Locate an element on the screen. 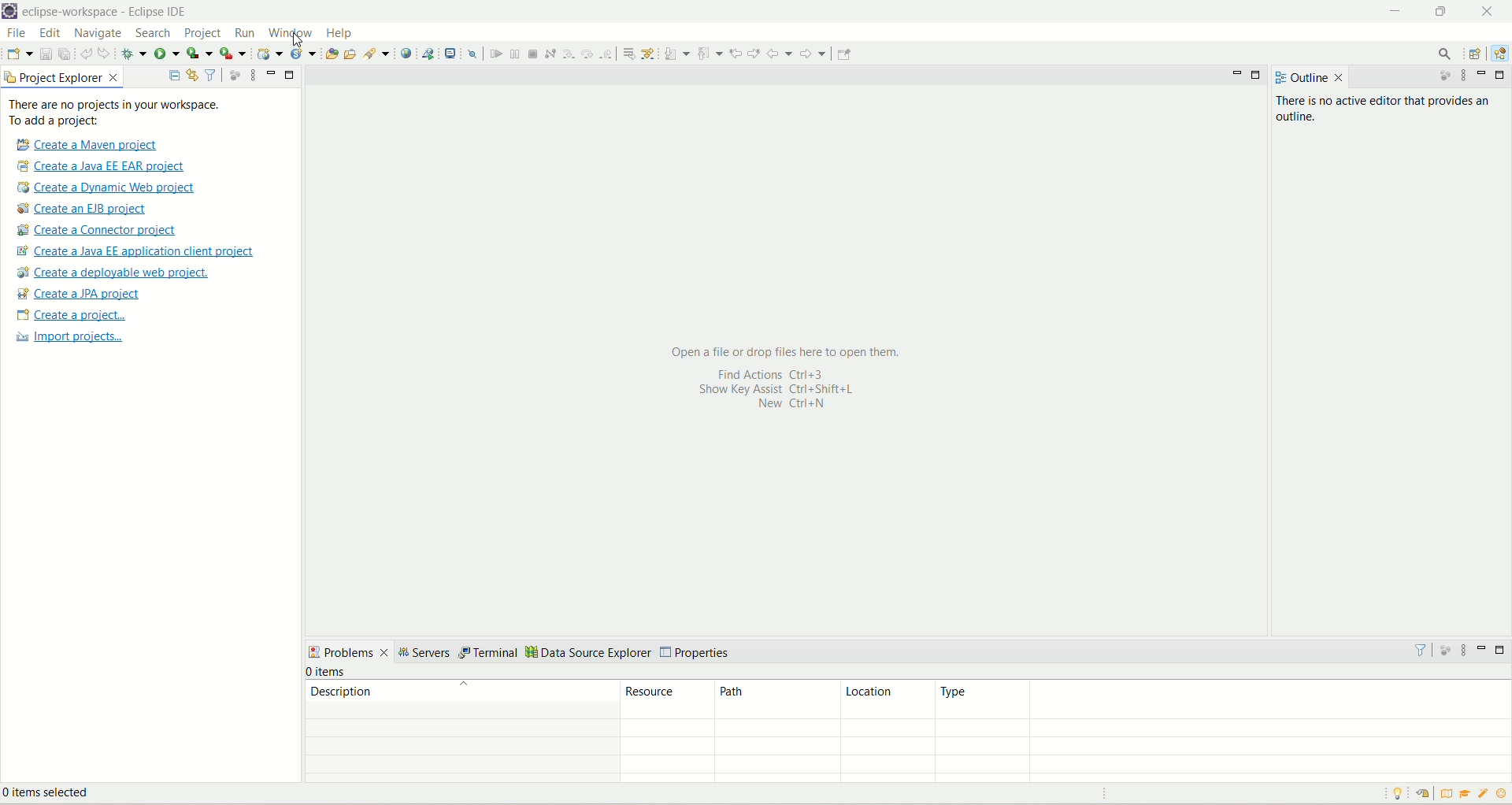  use step filters is located at coordinates (649, 53).